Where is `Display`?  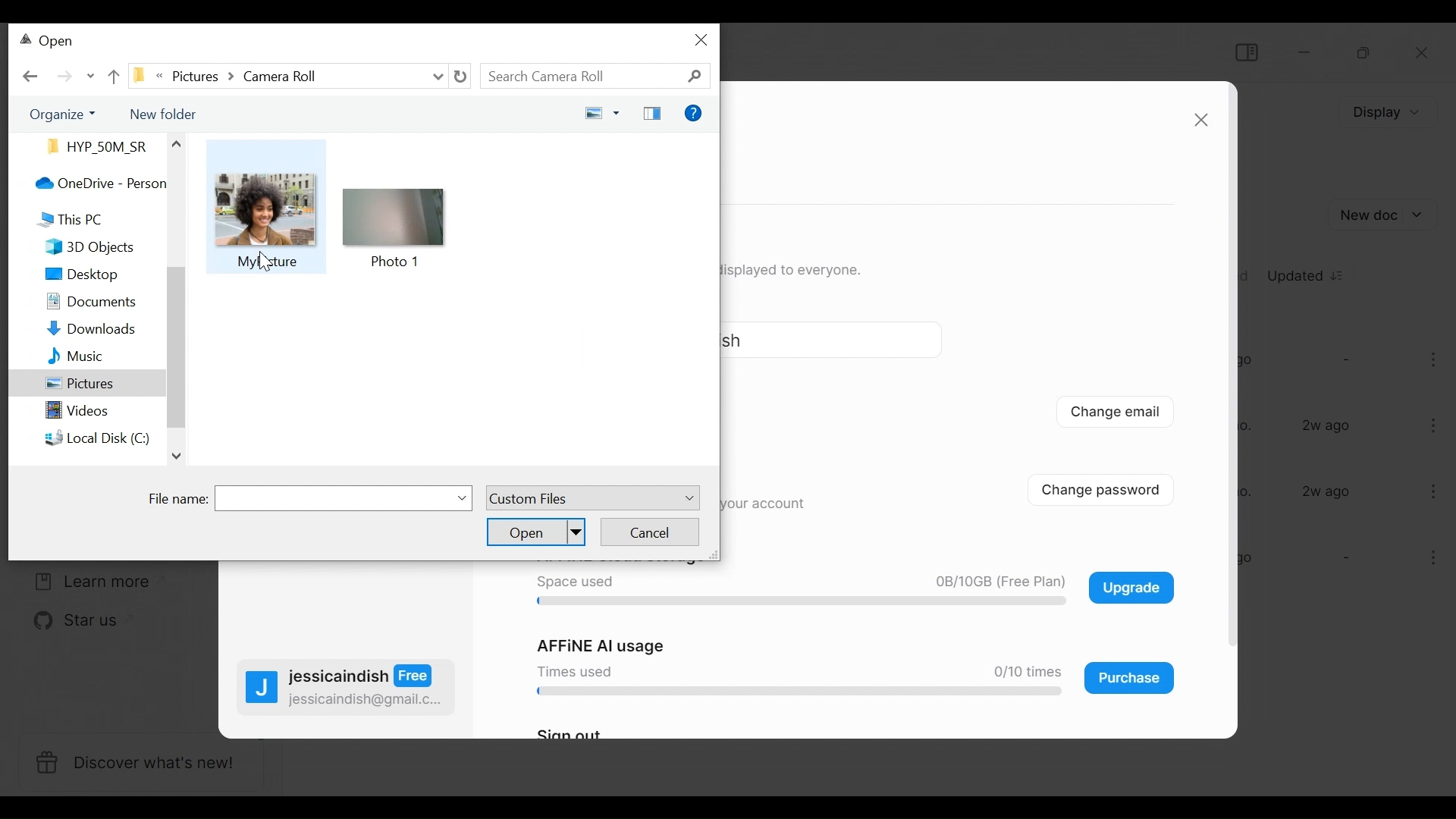
Display is located at coordinates (1384, 112).